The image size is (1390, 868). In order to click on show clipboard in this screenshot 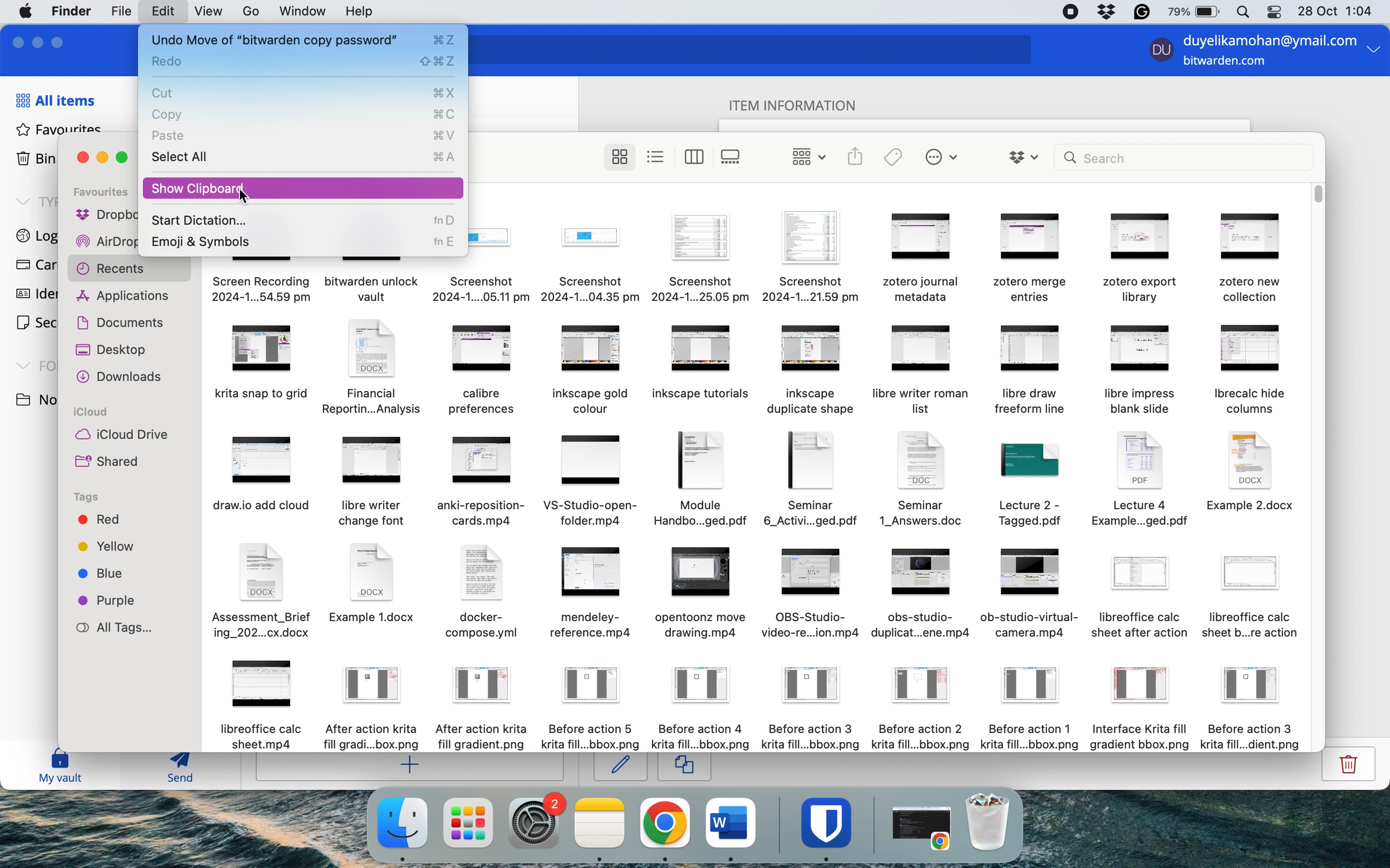, I will do `click(198, 185)`.